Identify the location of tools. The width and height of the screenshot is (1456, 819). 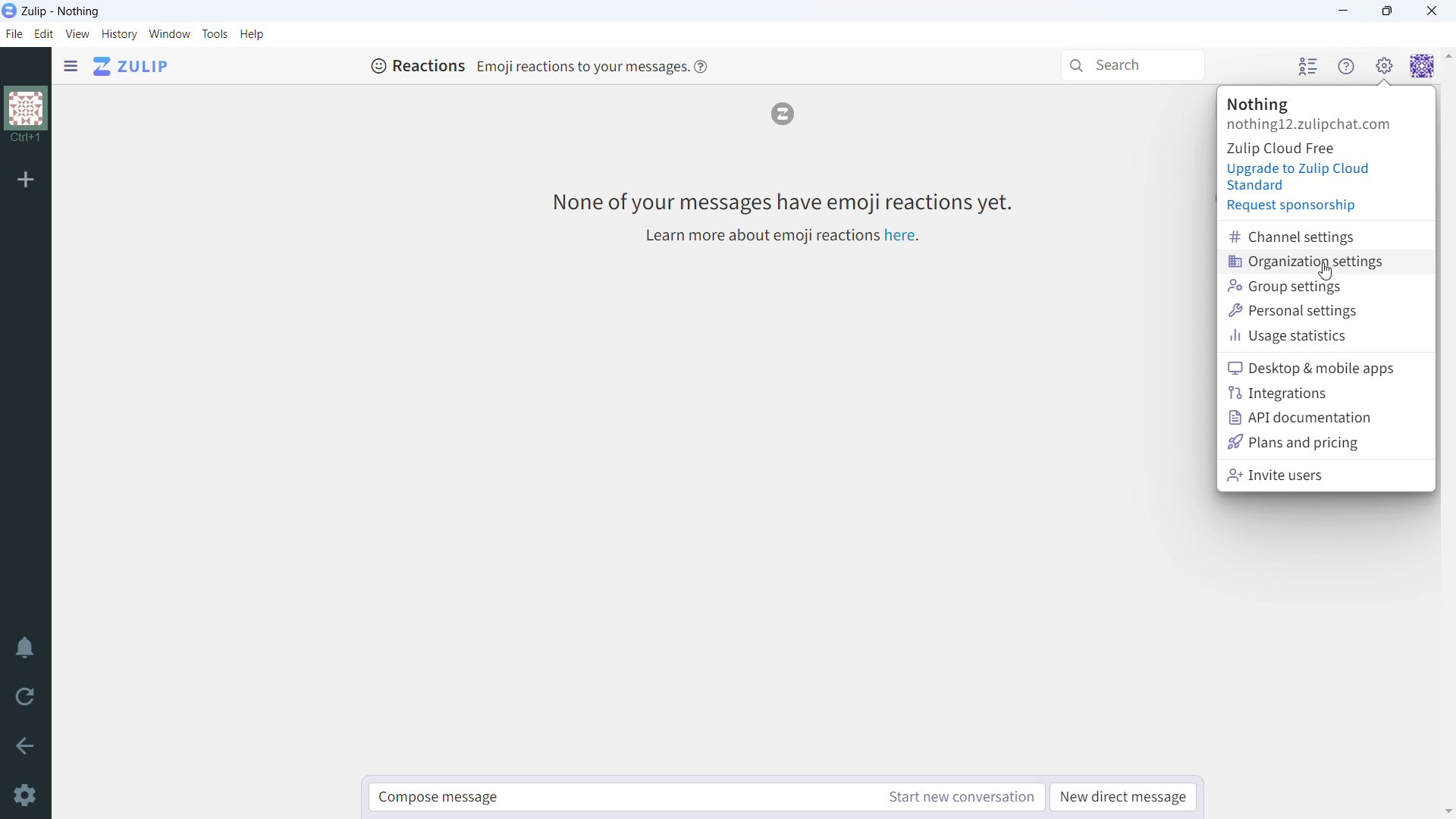
(215, 33).